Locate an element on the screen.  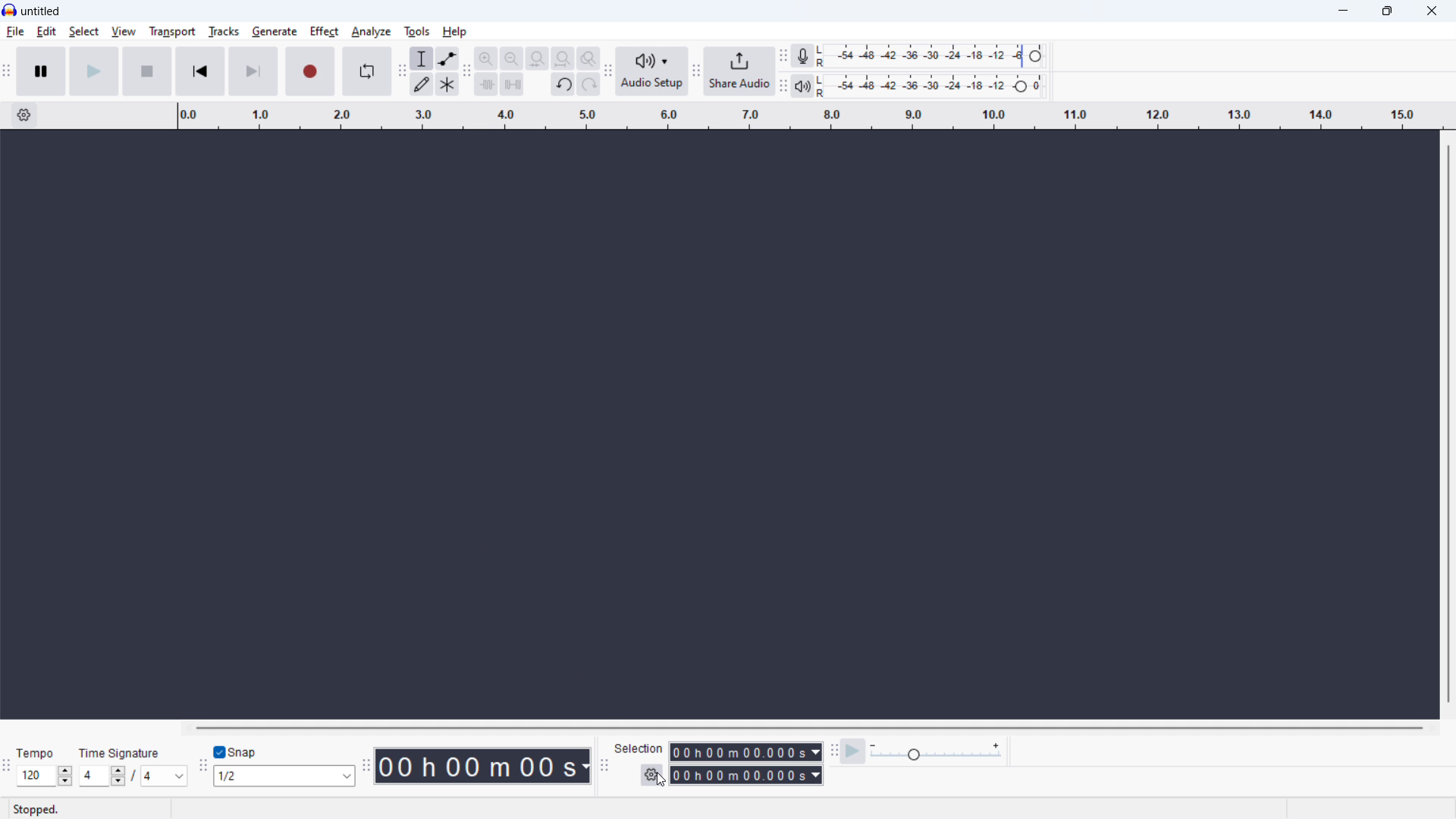
play is located at coordinates (95, 71).